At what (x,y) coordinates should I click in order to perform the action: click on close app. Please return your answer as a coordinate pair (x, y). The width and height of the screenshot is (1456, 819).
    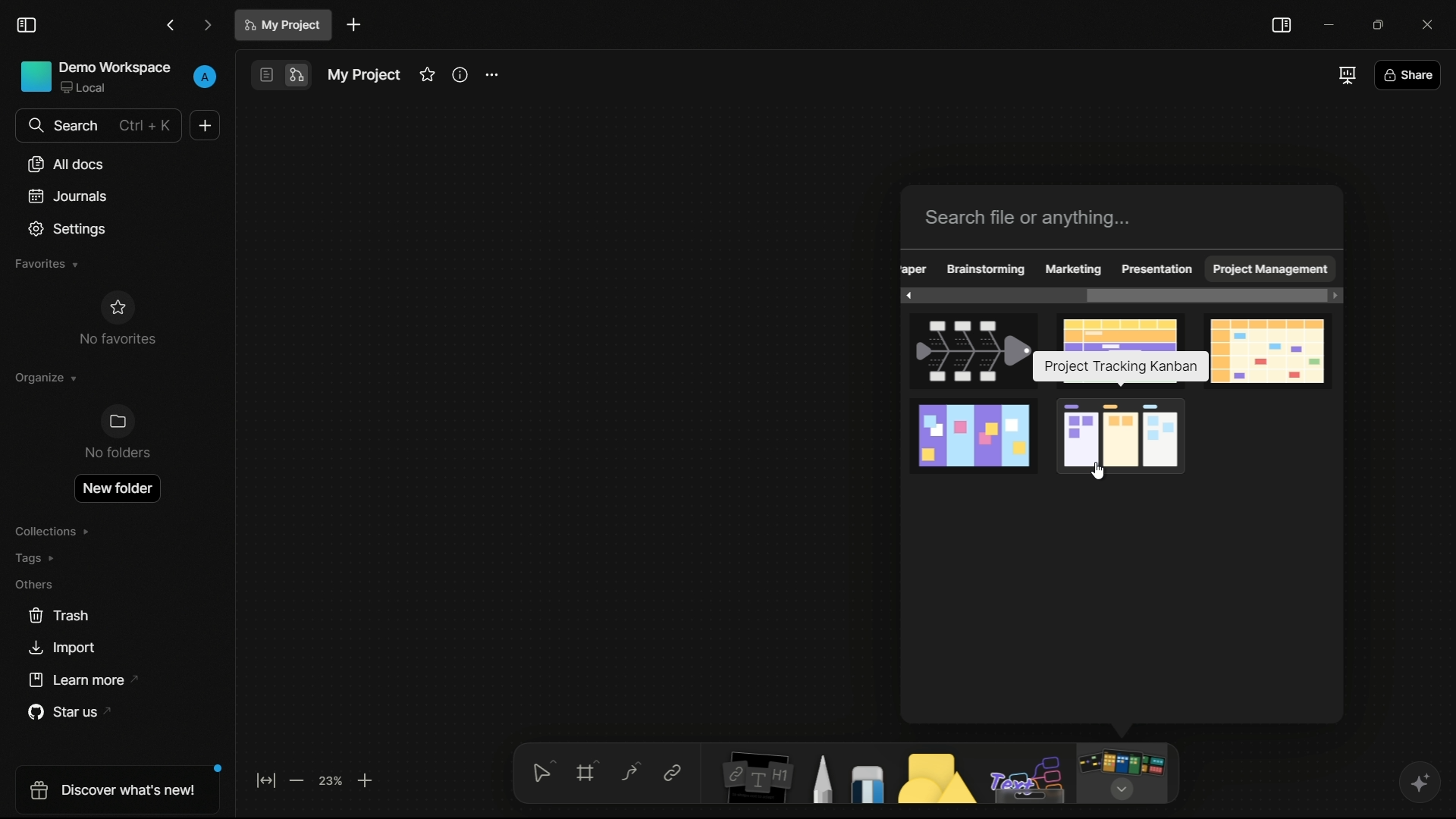
    Looking at the image, I should click on (1432, 24).